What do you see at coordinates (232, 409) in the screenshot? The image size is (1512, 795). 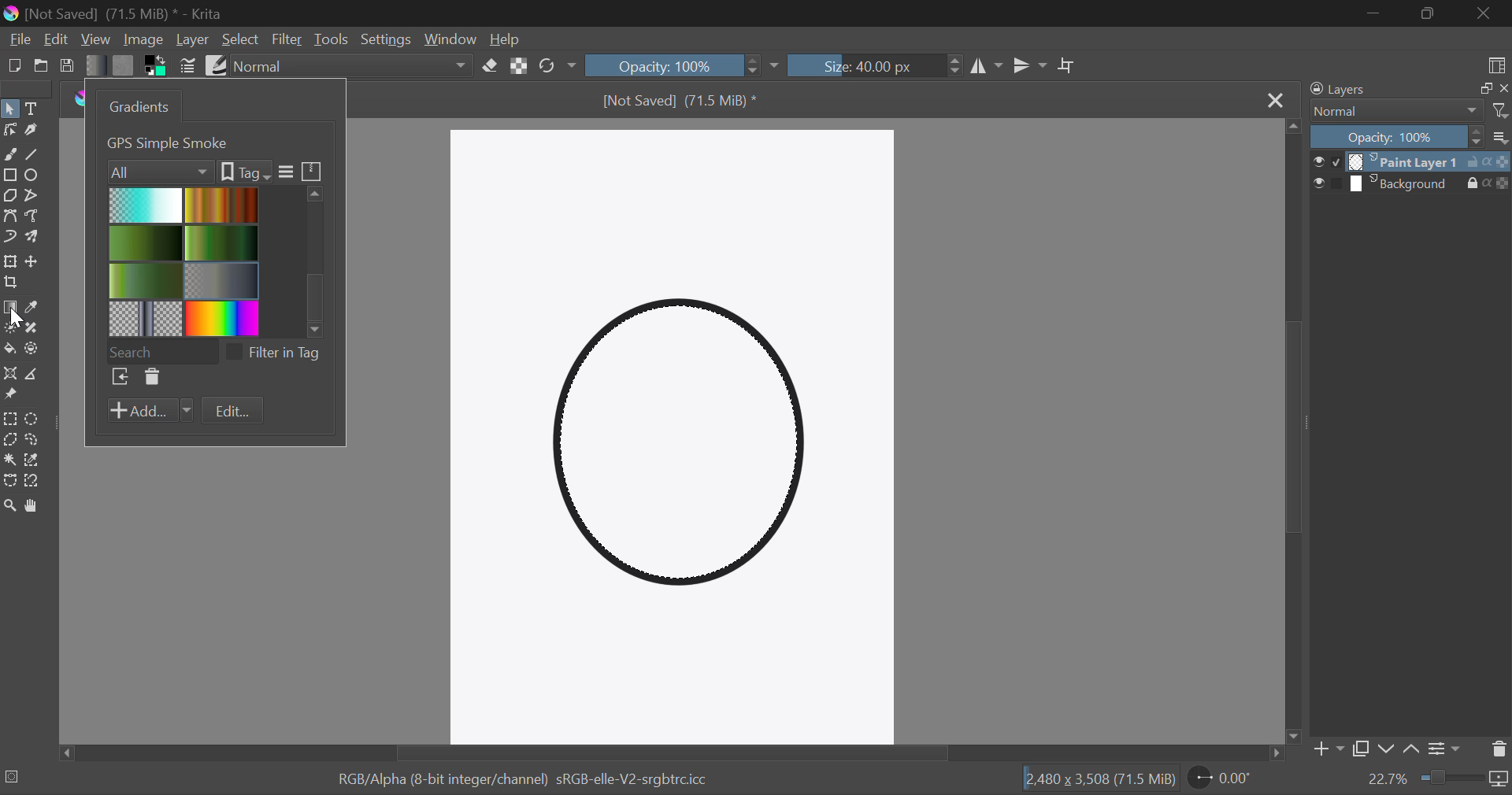 I see `Edit` at bounding box center [232, 409].